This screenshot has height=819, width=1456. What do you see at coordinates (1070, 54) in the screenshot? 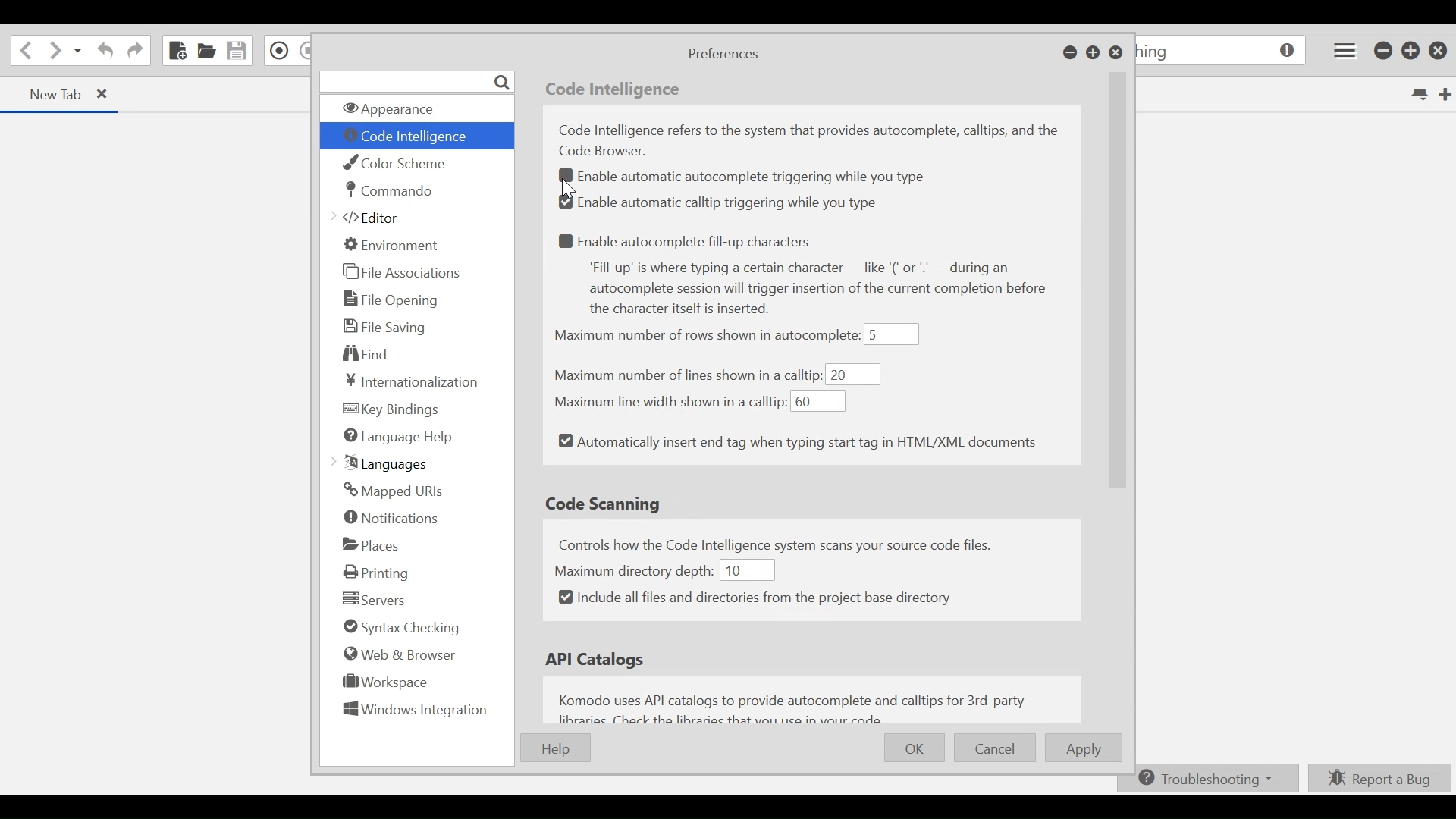
I see `minimize` at bounding box center [1070, 54].